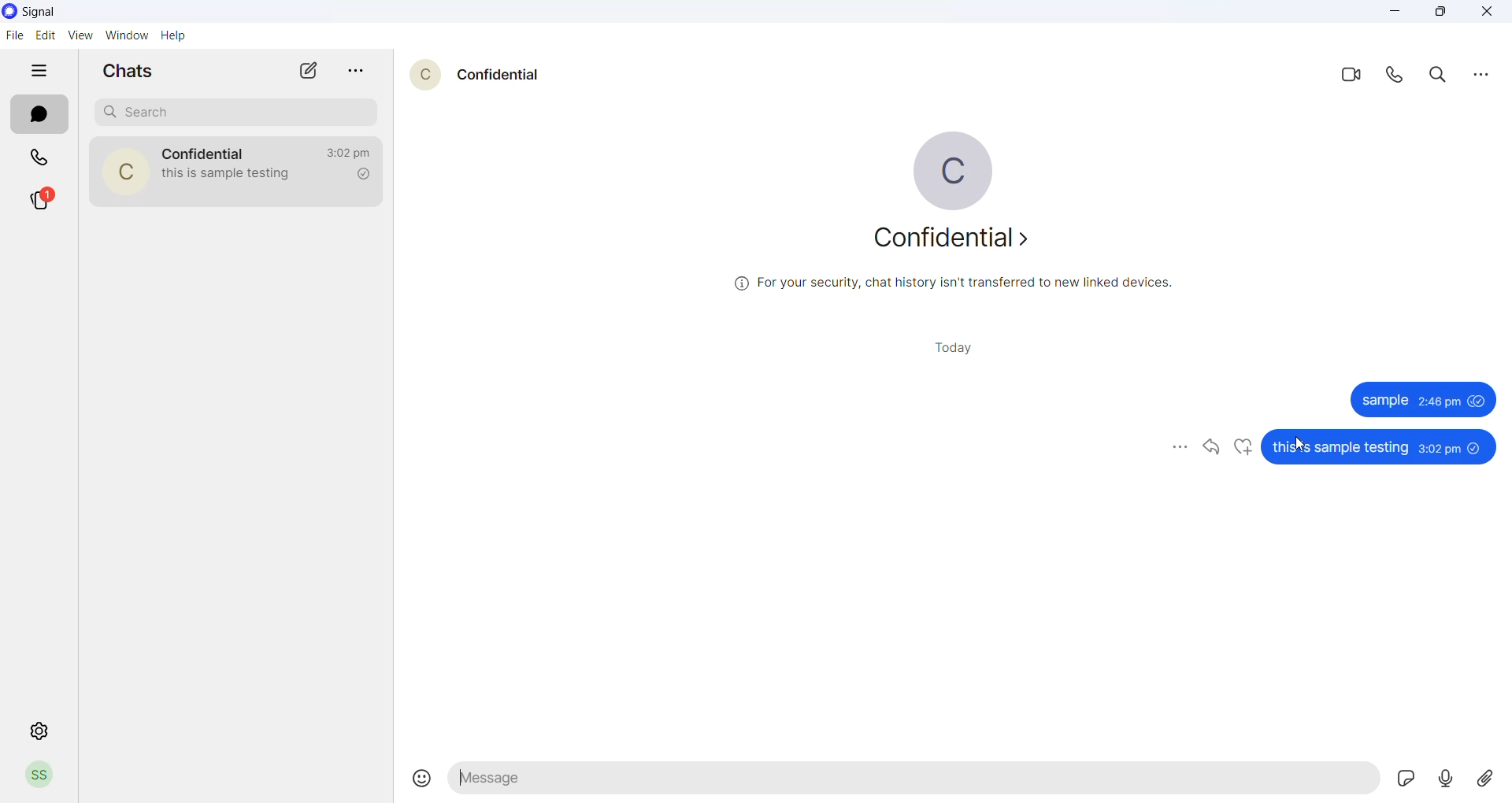 Image resolution: width=1512 pixels, height=803 pixels. Describe the element at coordinates (957, 242) in the screenshot. I see `about contact` at that location.